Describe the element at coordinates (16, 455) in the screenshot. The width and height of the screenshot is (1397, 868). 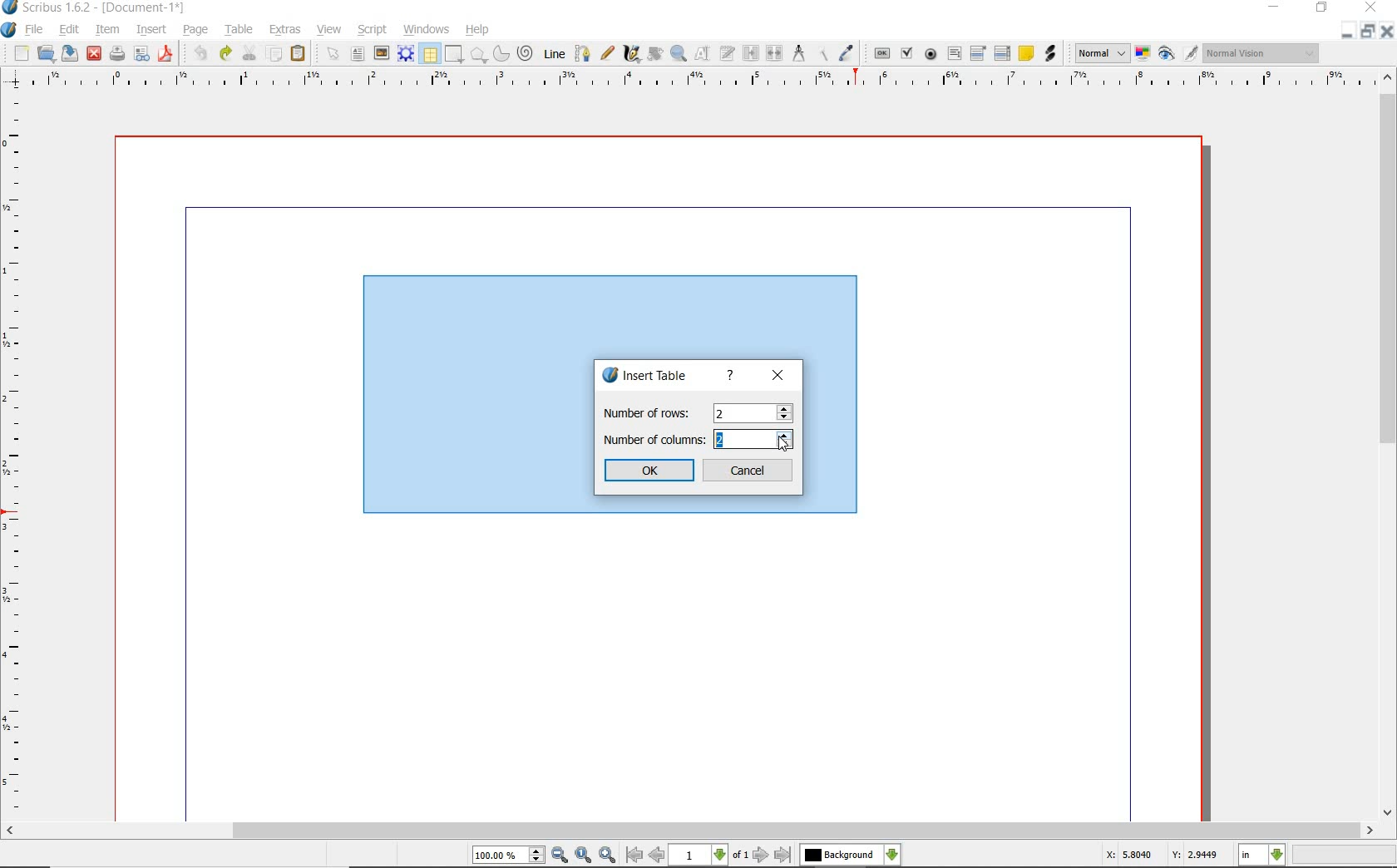
I see `ruler` at that location.